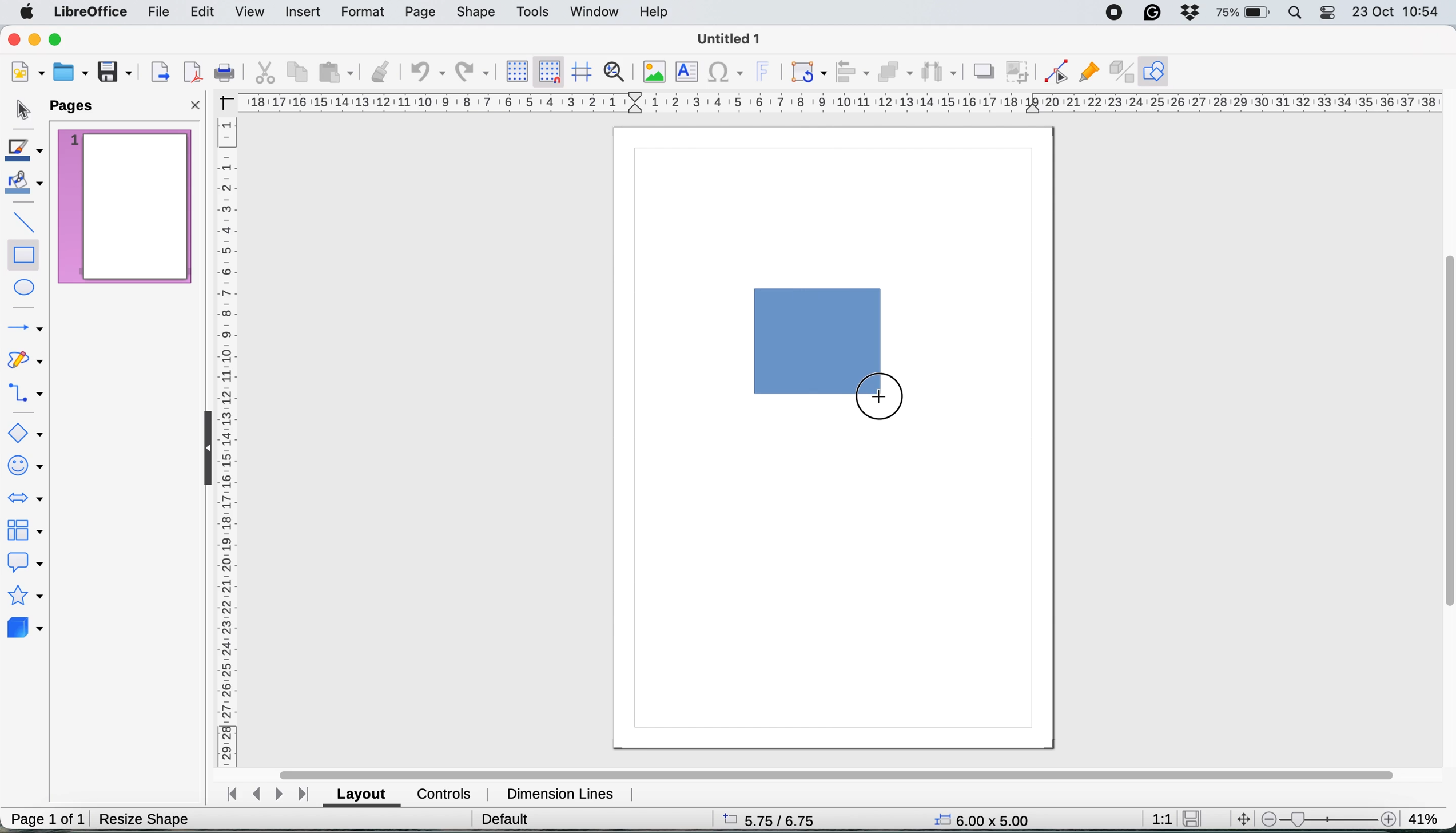 This screenshot has width=1456, height=833. I want to click on minimise, so click(34, 38).